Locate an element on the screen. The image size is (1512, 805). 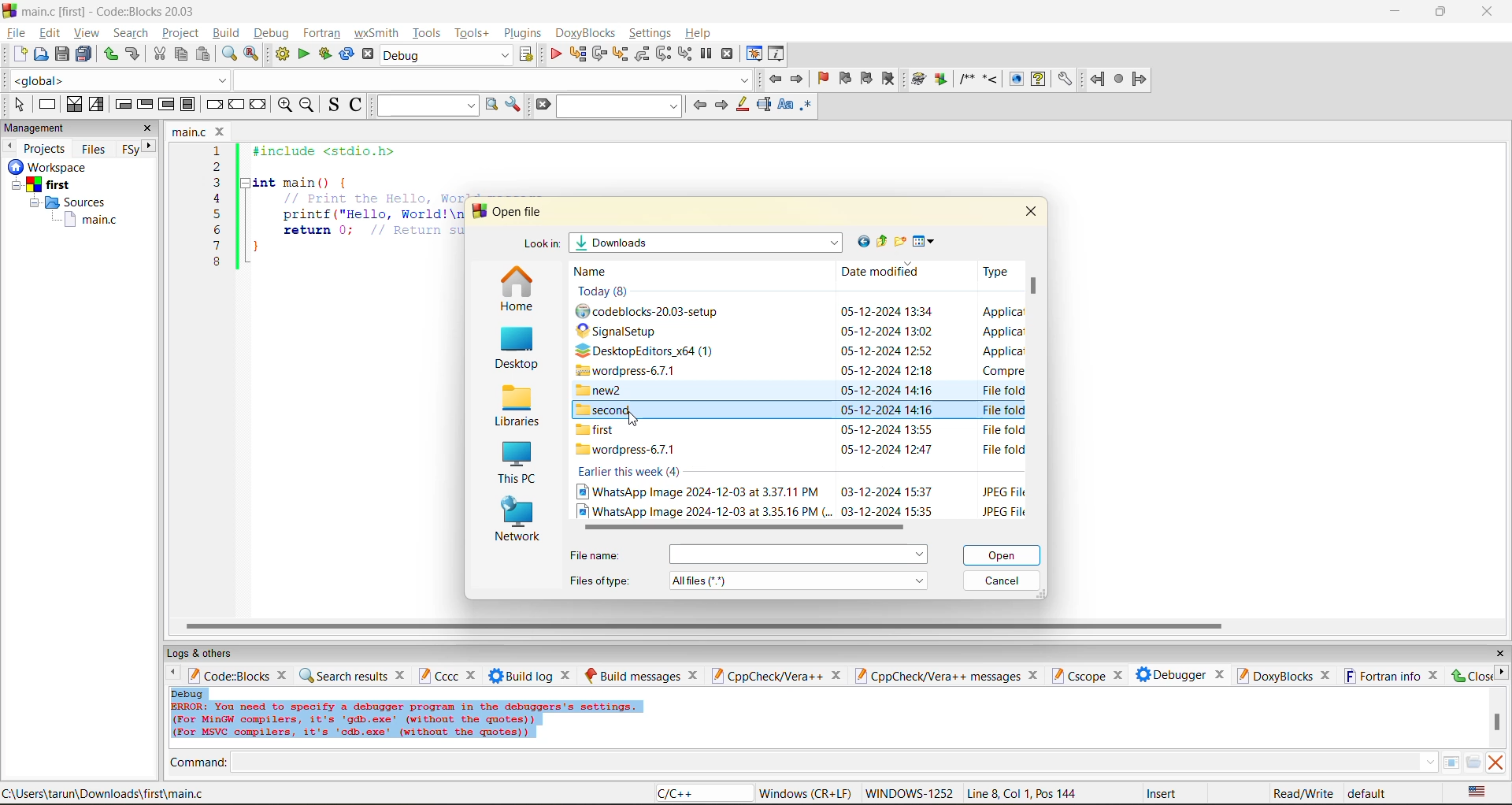
first folder is located at coordinates (599, 430).